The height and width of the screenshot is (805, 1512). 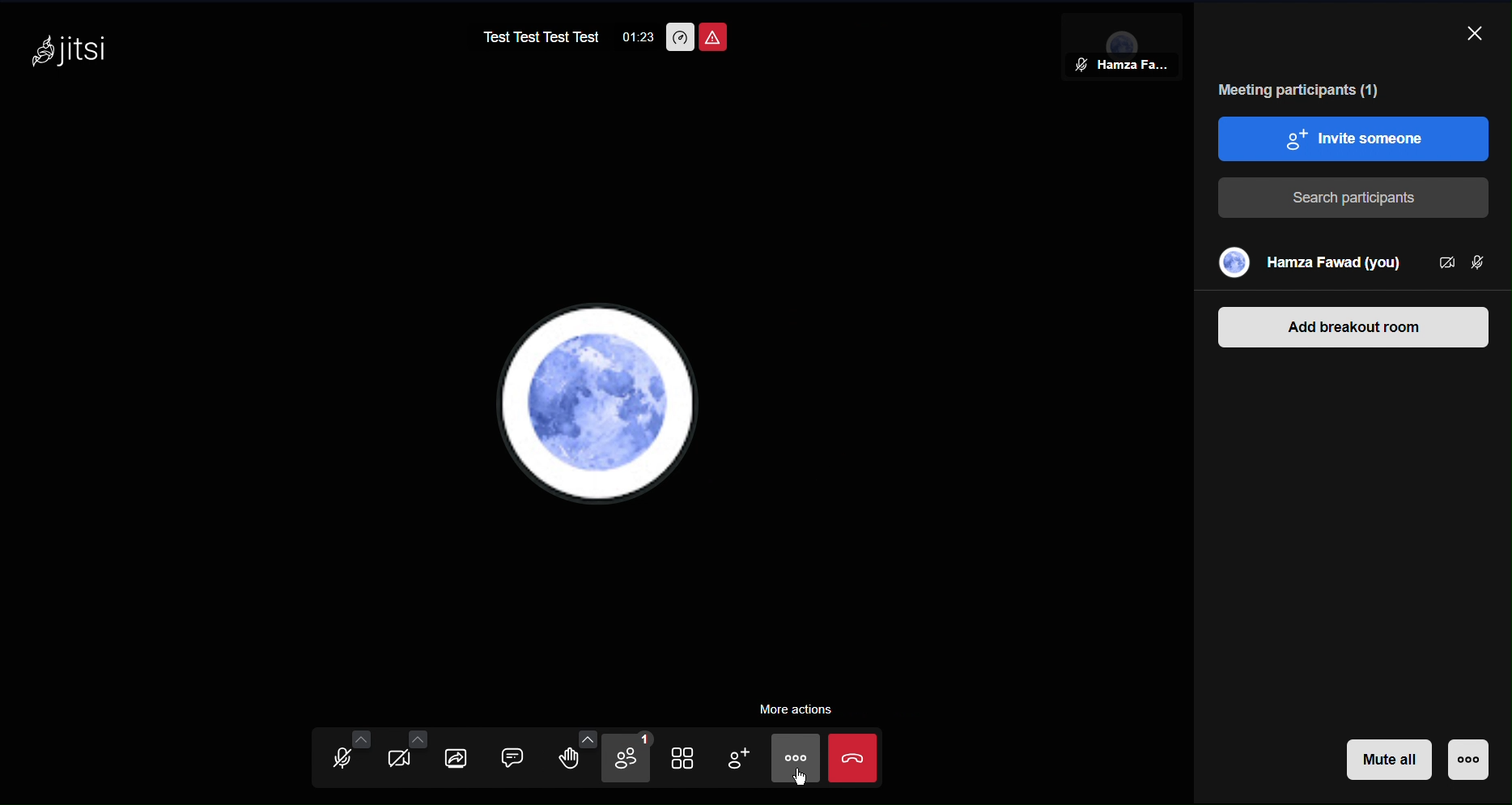 What do you see at coordinates (529, 758) in the screenshot?
I see `Chat` at bounding box center [529, 758].